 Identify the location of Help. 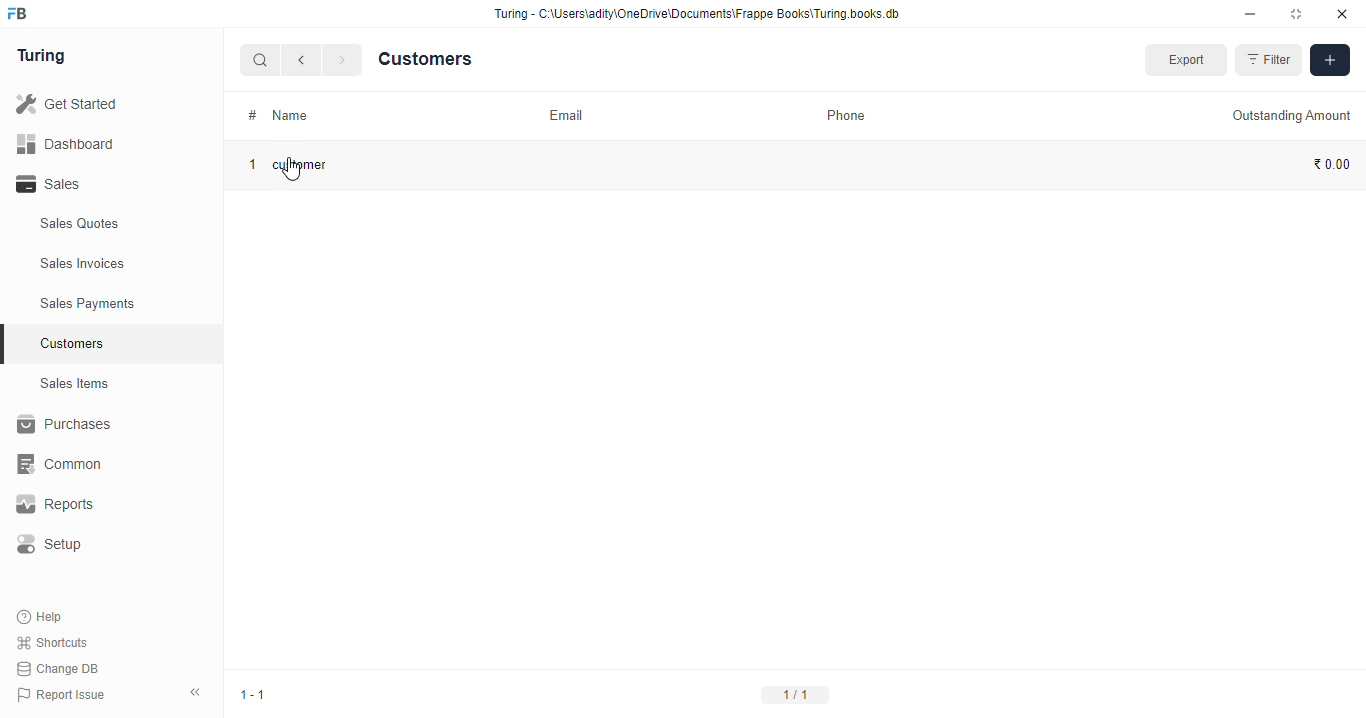
(42, 618).